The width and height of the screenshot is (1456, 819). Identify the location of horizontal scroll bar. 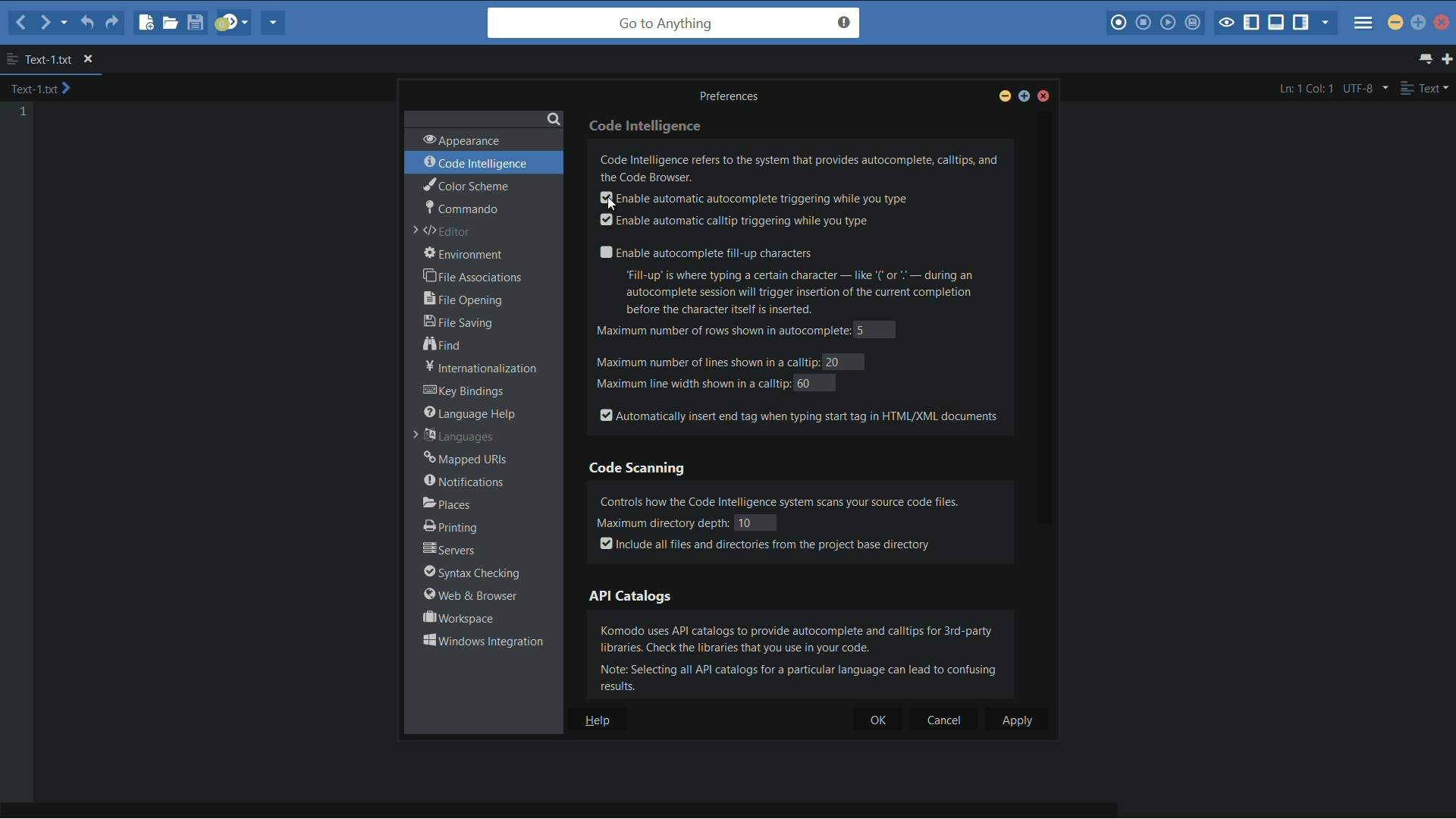
(576, 810).